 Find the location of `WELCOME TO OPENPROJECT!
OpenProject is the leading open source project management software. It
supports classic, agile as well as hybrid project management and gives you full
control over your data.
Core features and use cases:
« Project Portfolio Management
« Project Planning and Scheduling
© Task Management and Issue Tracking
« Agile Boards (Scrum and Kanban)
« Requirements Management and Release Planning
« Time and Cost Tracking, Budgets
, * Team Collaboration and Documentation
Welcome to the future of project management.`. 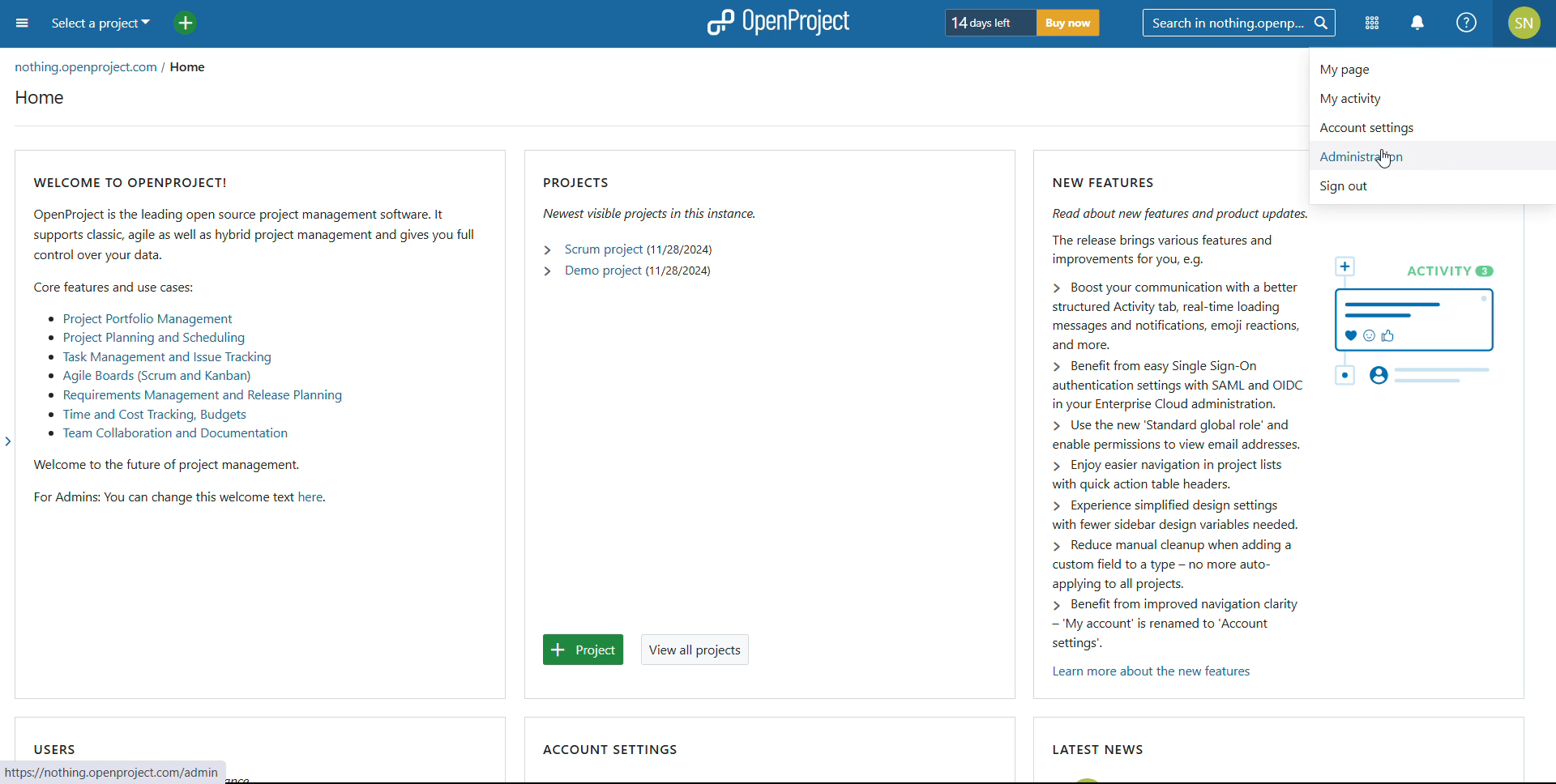

WELCOME TO OPENPROJECT!
OpenProject is the leading open source project management software. It
supports classic, agile as well as hybrid project management and gives you full
control over your data.
Core features and use cases:
« Project Portfolio Management
« Project Planning and Scheduling
© Task Management and Issue Tracking
« Agile Boards (Scrum and Kanban)
« Requirements Management and Release Planning
« Time and Cost Tracking, Budgets
, * Team Collaboration and Documentation
Welcome to the future of project management. is located at coordinates (257, 317).